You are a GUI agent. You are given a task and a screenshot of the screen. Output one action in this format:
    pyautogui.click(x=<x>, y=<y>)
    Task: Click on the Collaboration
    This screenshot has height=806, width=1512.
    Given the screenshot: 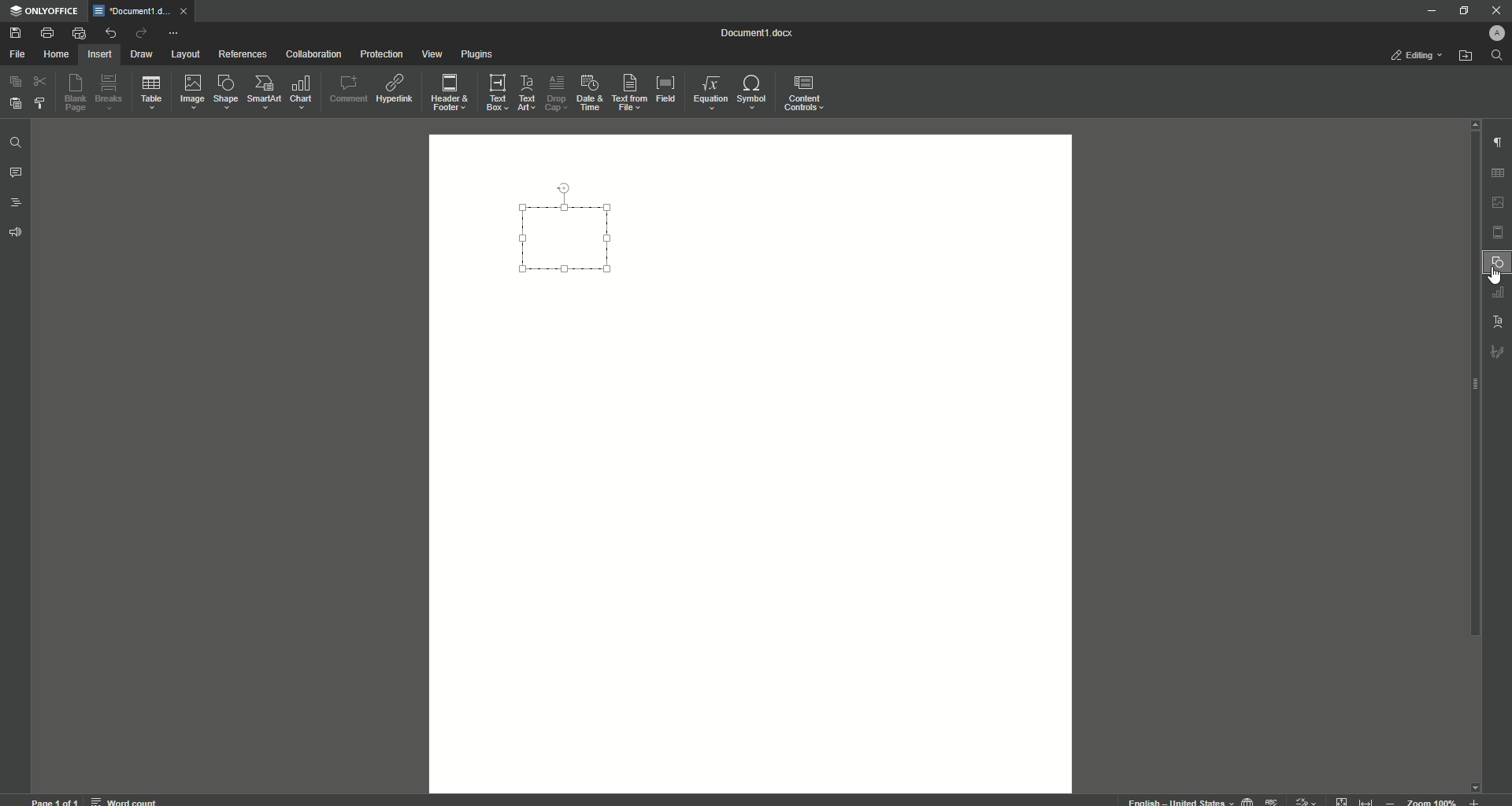 What is the action you would take?
    pyautogui.click(x=313, y=56)
    